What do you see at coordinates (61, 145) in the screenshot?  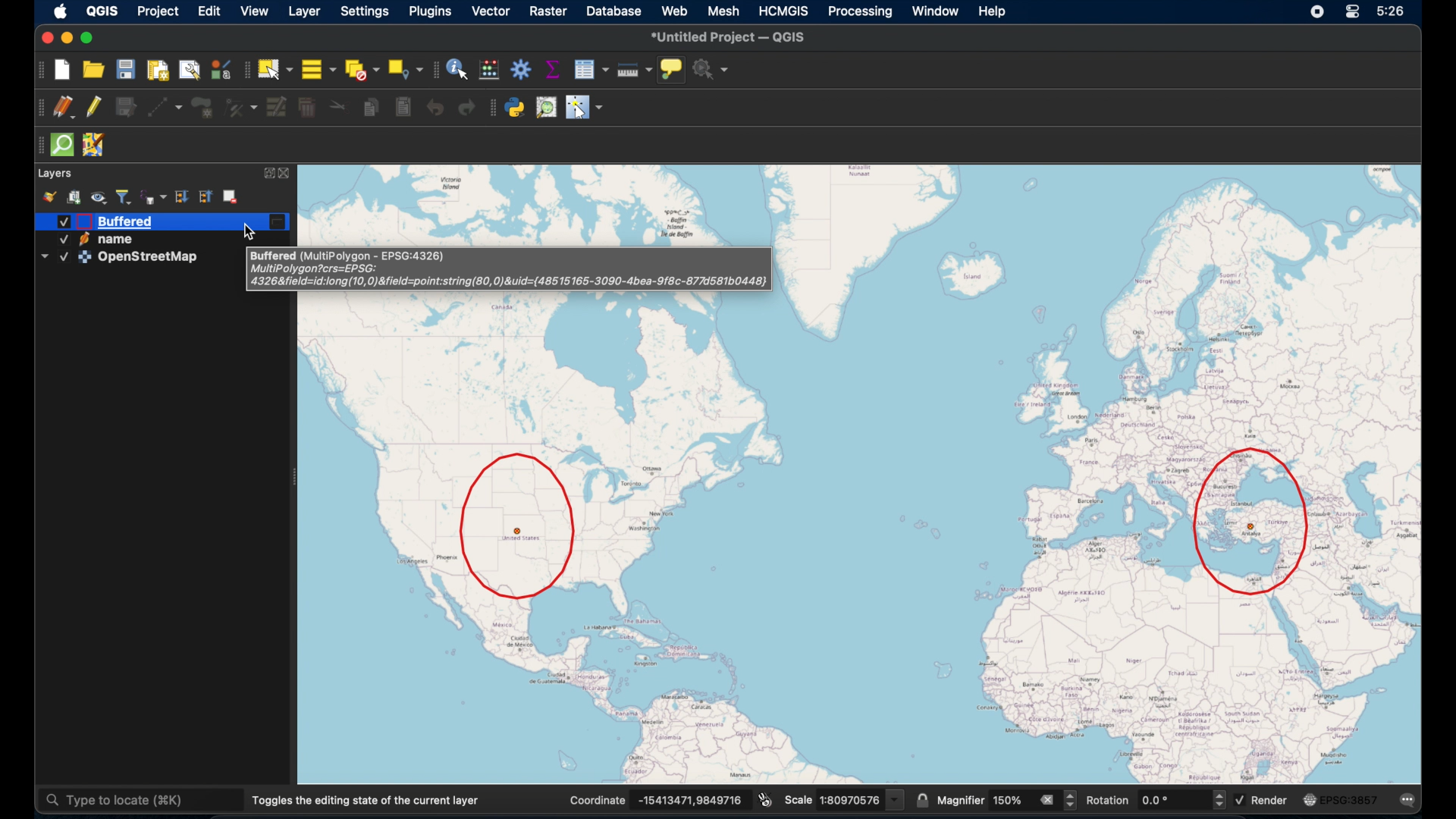 I see `quicksom` at bounding box center [61, 145].